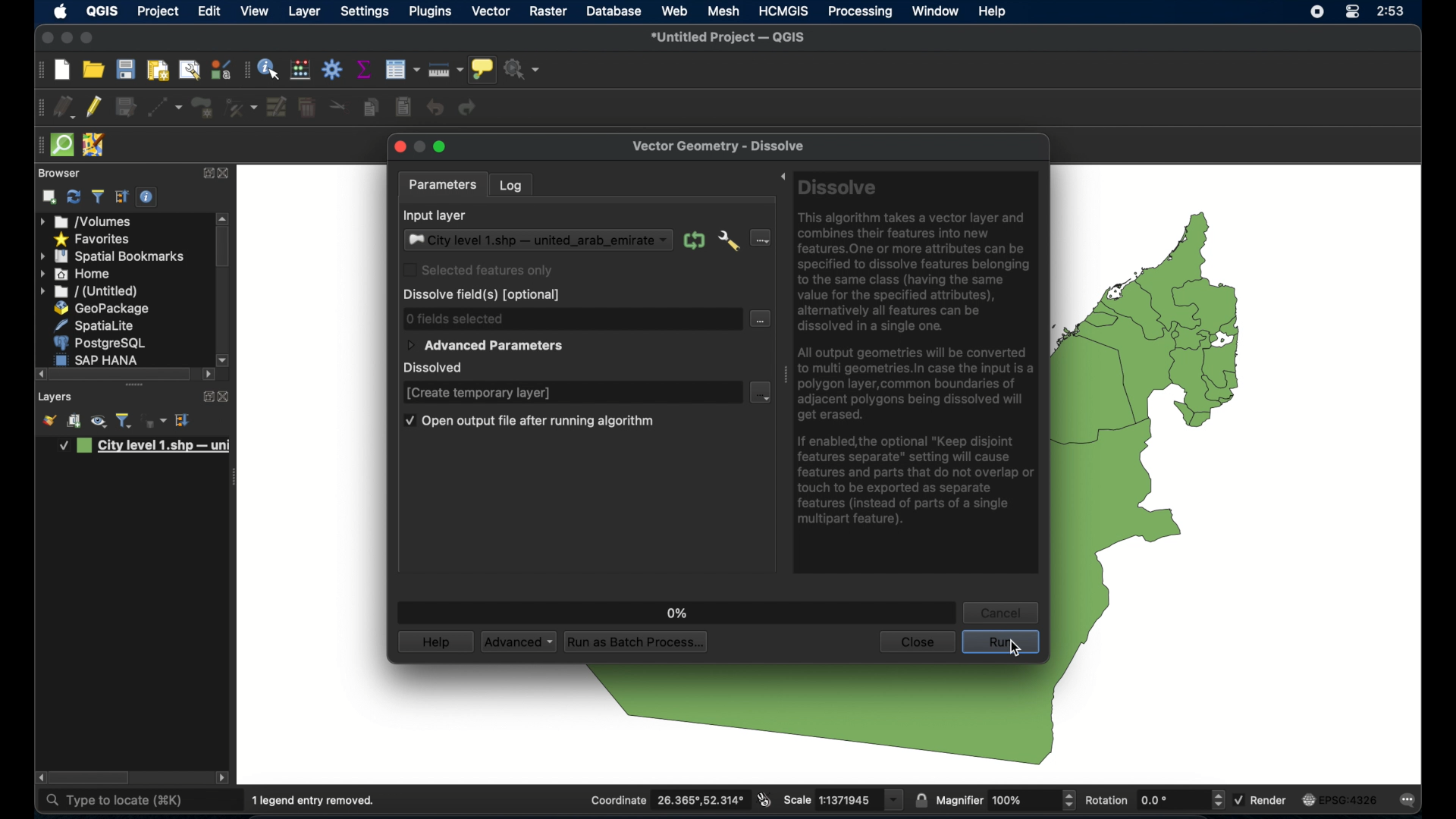 The width and height of the screenshot is (1456, 819). Describe the element at coordinates (471, 108) in the screenshot. I see `redo` at that location.